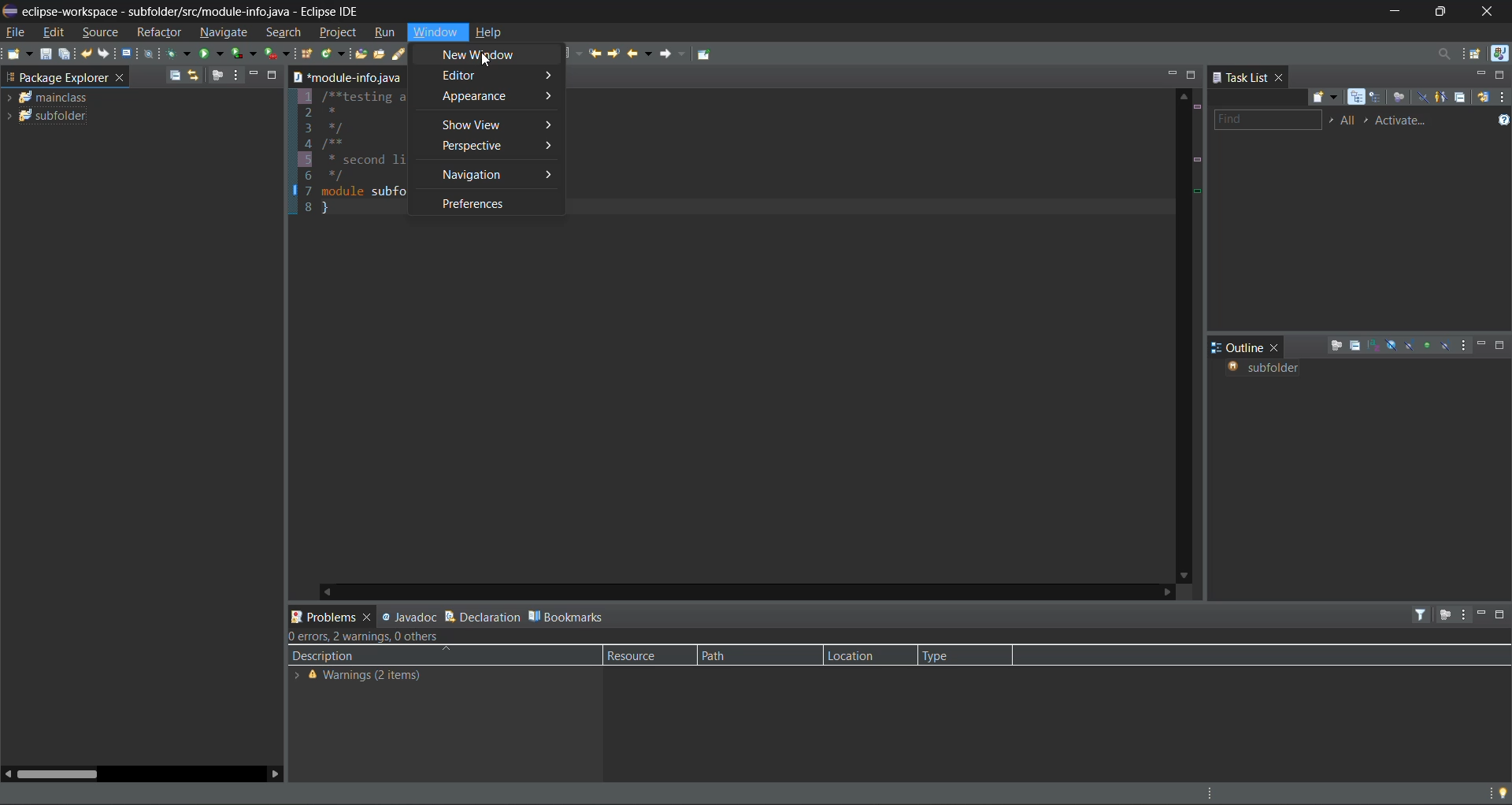 This screenshot has height=805, width=1512. I want to click on focus on active task, so click(218, 76).